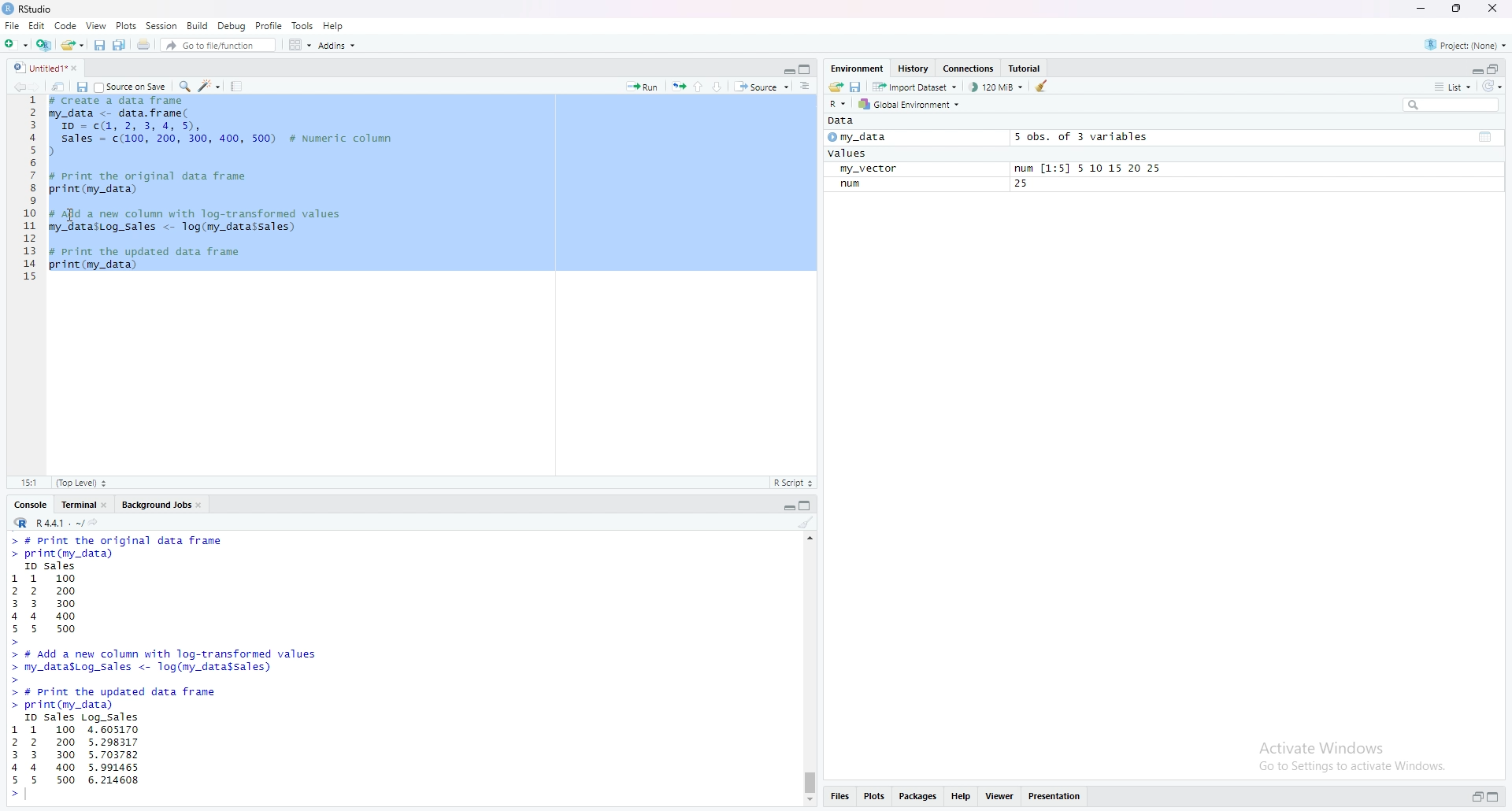 This screenshot has height=811, width=1512. What do you see at coordinates (336, 45) in the screenshot?
I see `addins` at bounding box center [336, 45].